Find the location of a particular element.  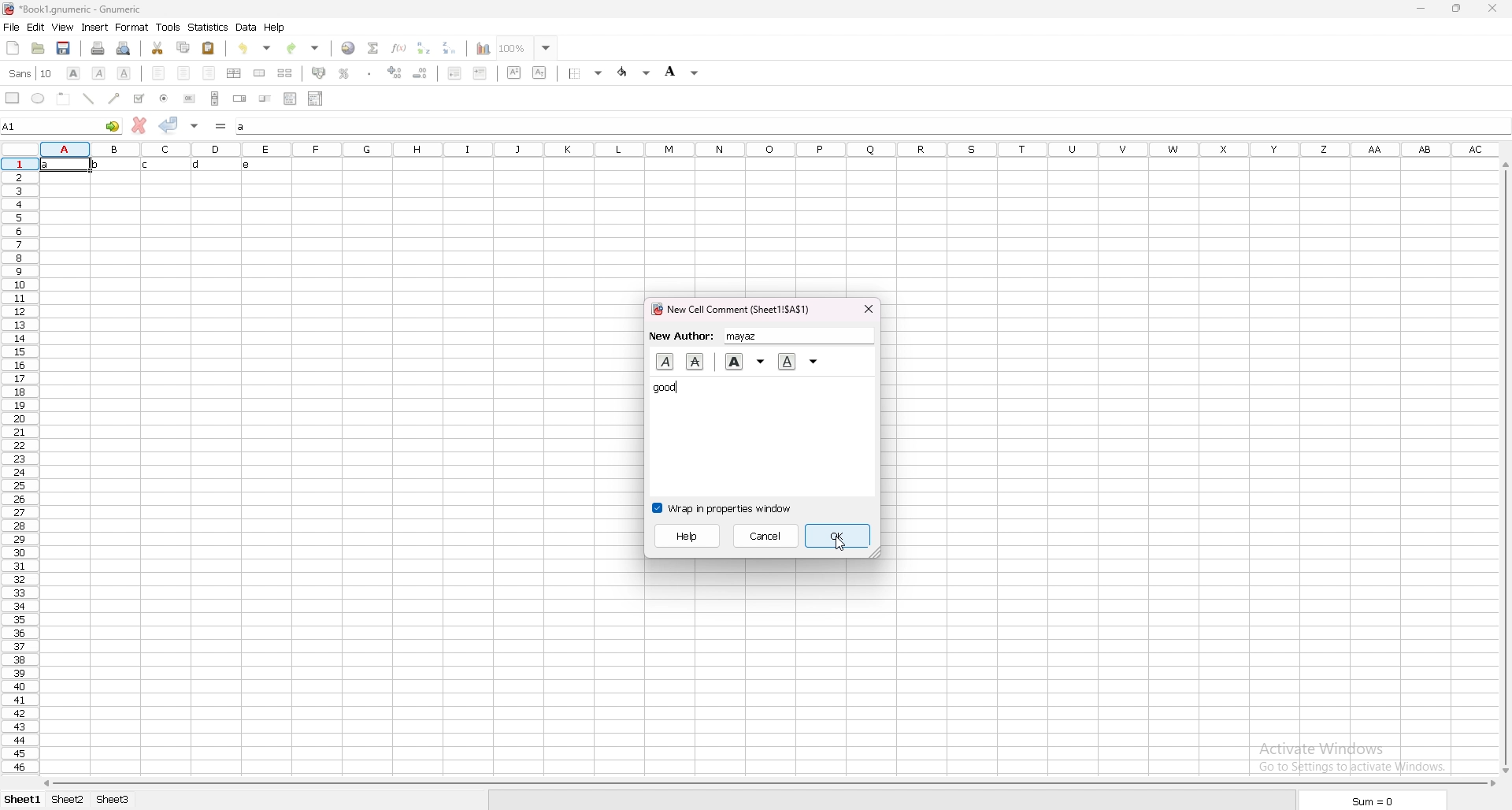

paste is located at coordinates (208, 47).